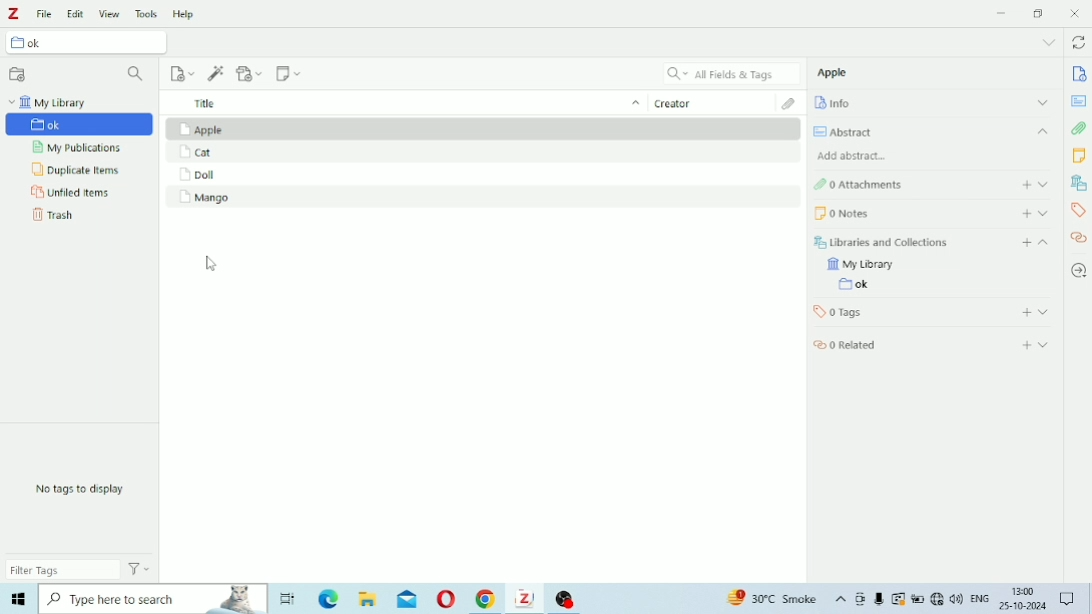  I want to click on My Library, so click(859, 265).